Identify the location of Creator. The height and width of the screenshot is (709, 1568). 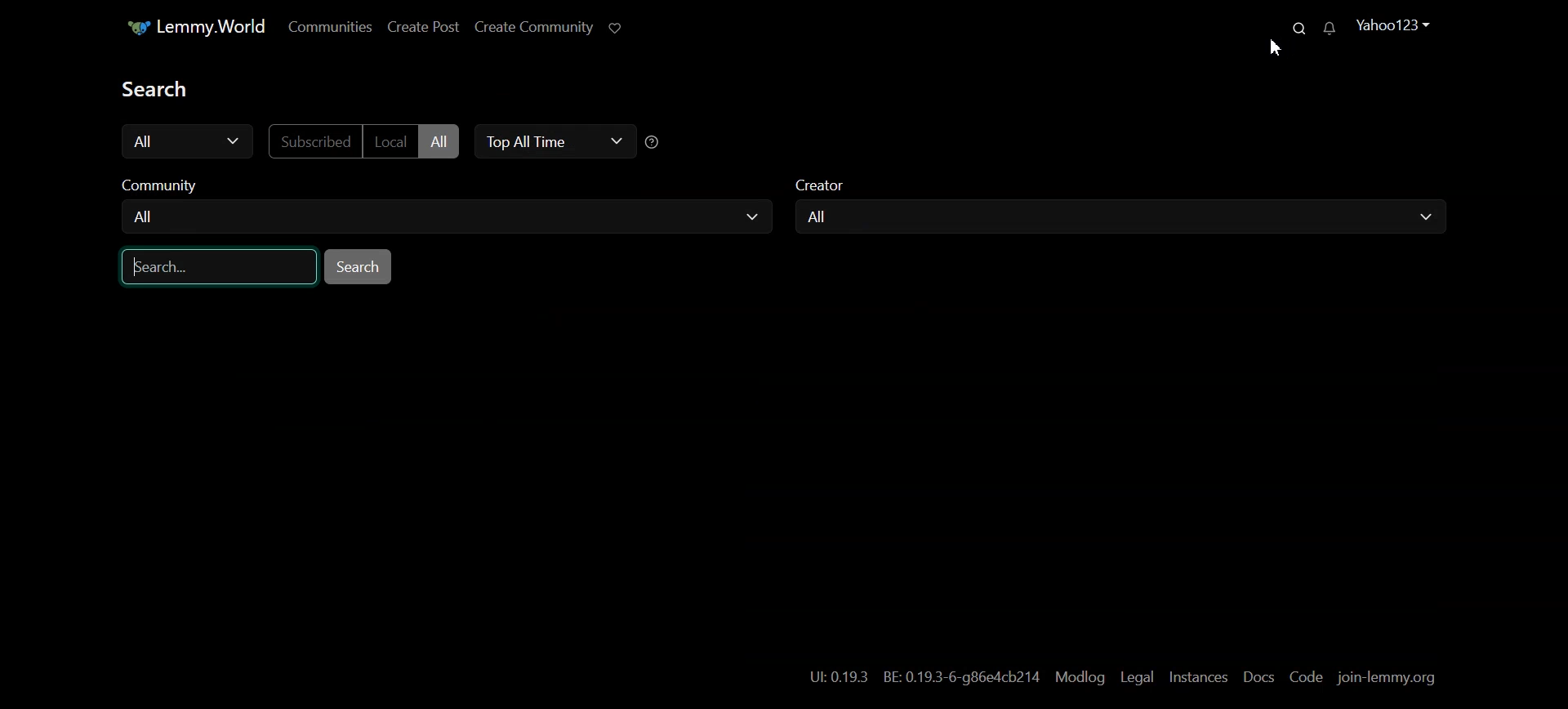
(825, 182).